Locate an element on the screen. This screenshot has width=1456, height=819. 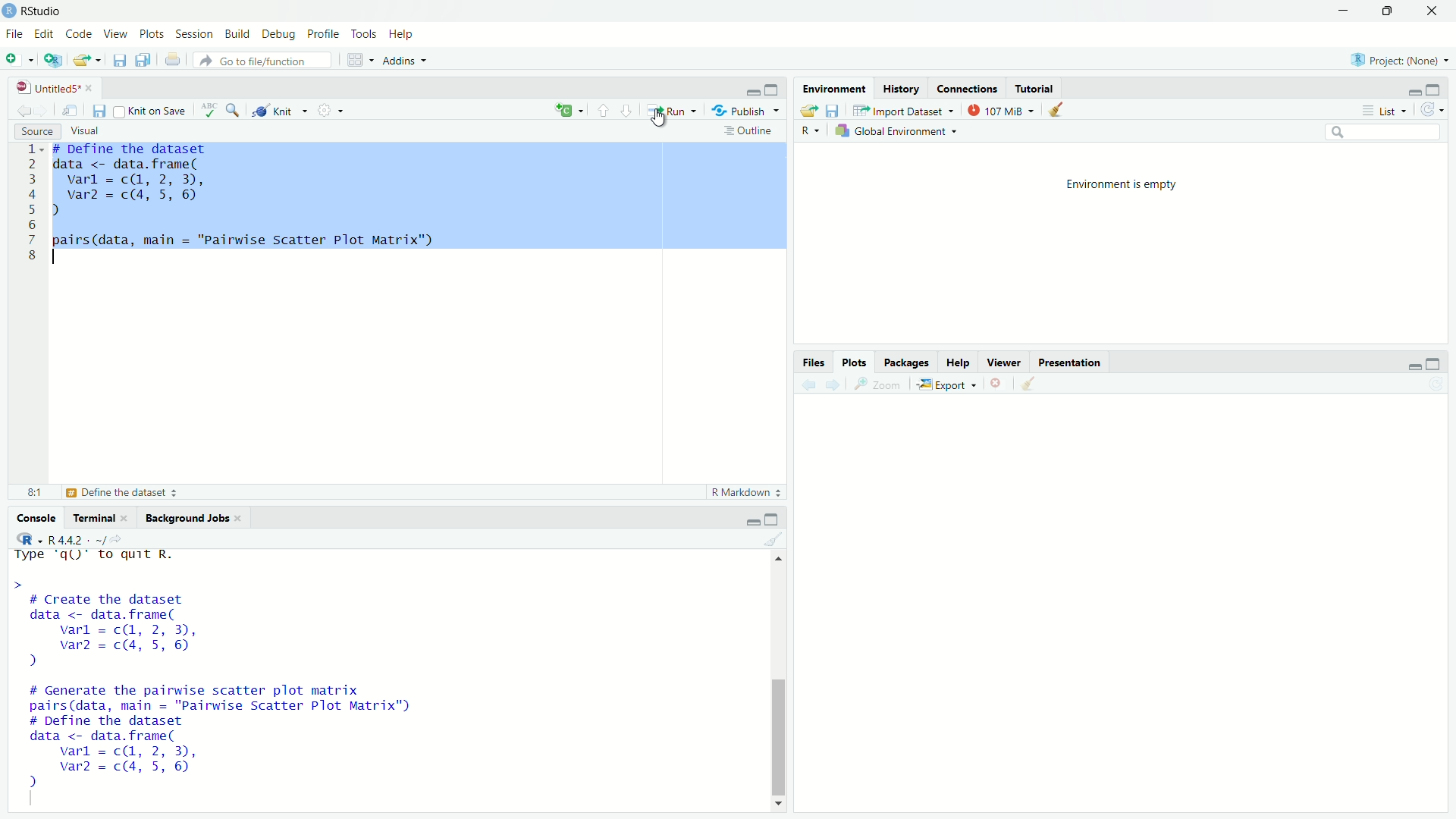
Maximize is located at coordinates (772, 89).